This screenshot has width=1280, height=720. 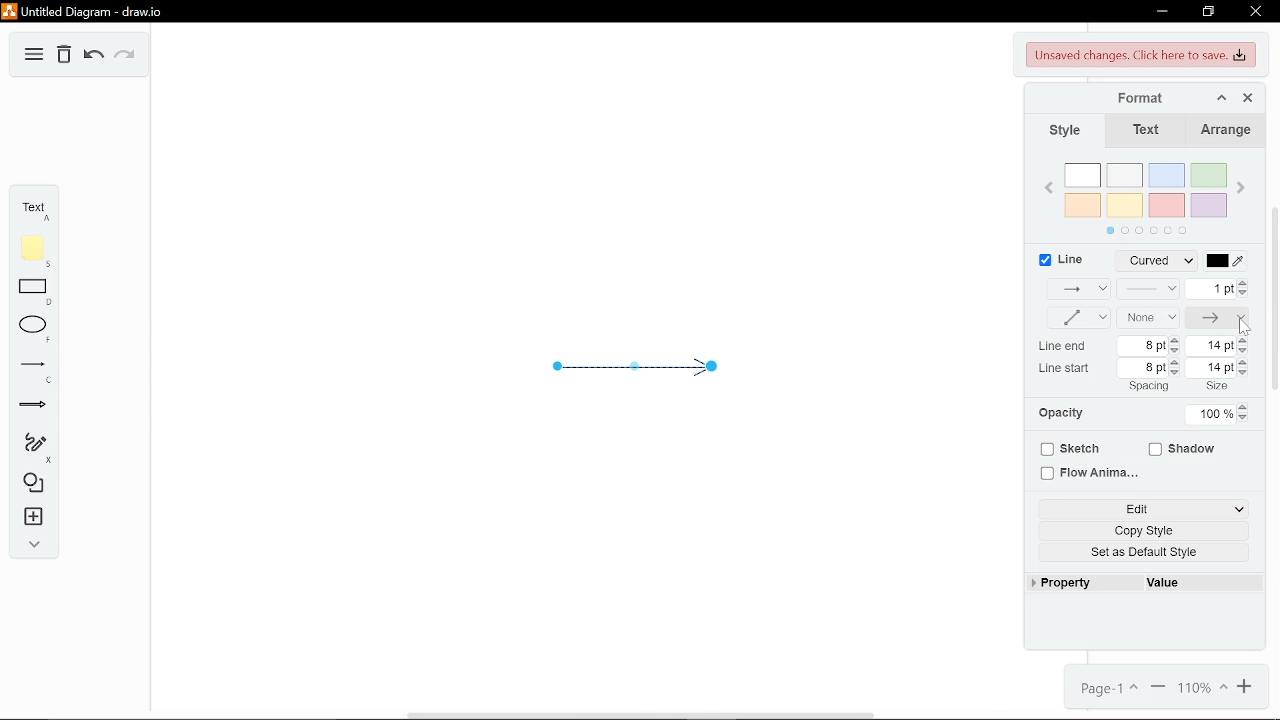 I want to click on Page 1, so click(x=1109, y=689).